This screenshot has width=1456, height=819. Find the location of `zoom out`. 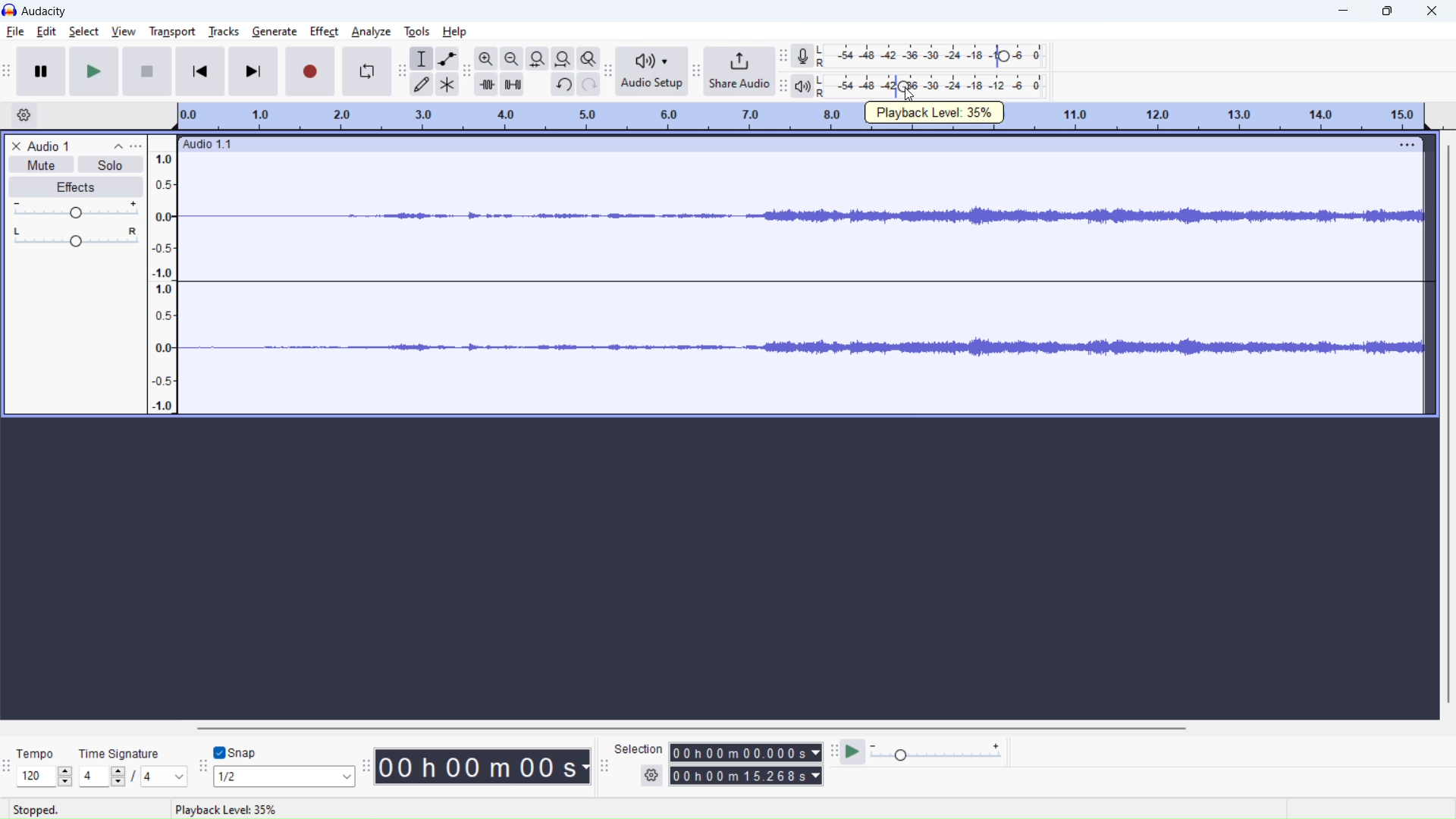

zoom out is located at coordinates (512, 58).